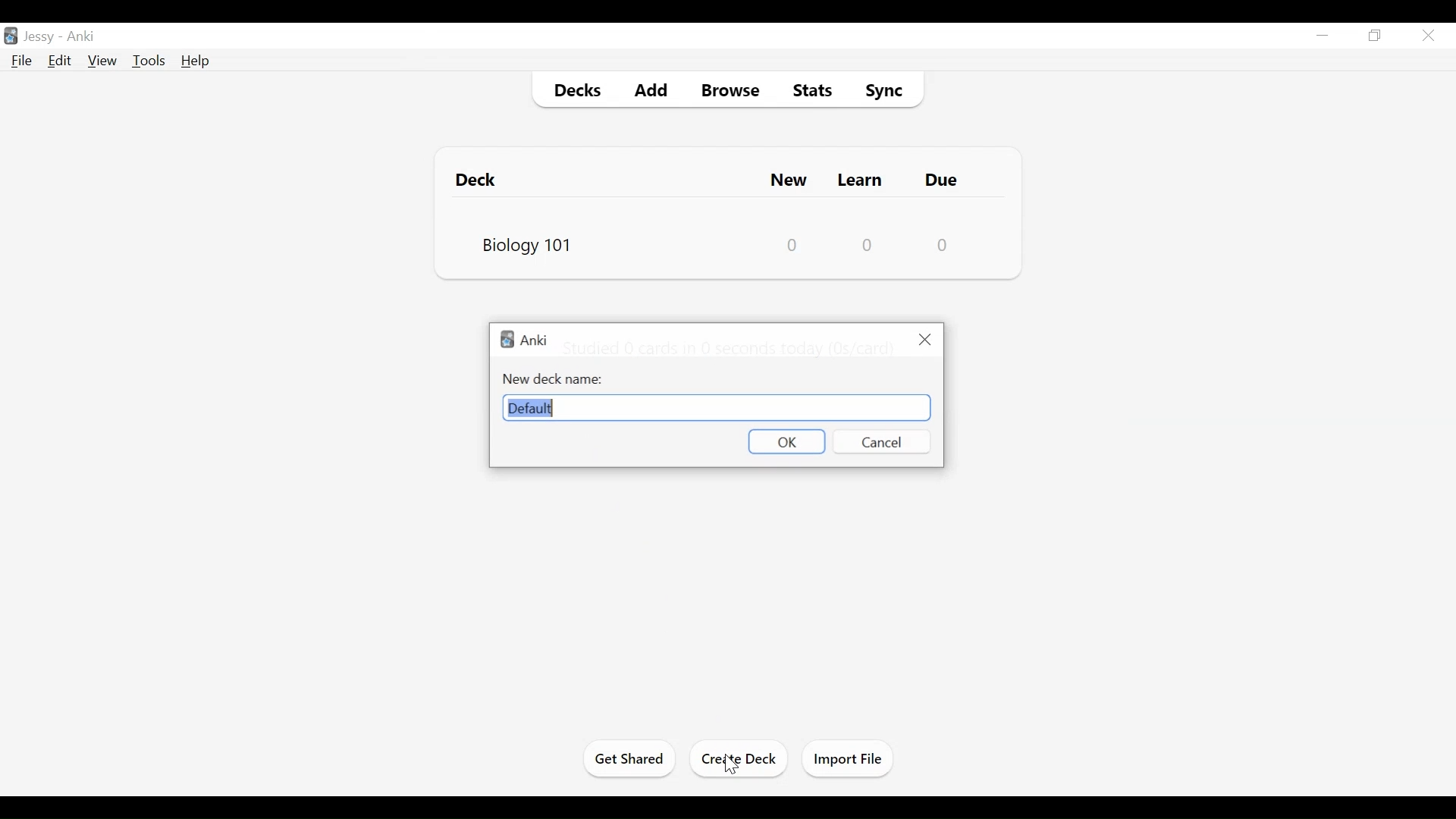 The height and width of the screenshot is (819, 1456). Describe the element at coordinates (727, 88) in the screenshot. I see `Browse` at that location.